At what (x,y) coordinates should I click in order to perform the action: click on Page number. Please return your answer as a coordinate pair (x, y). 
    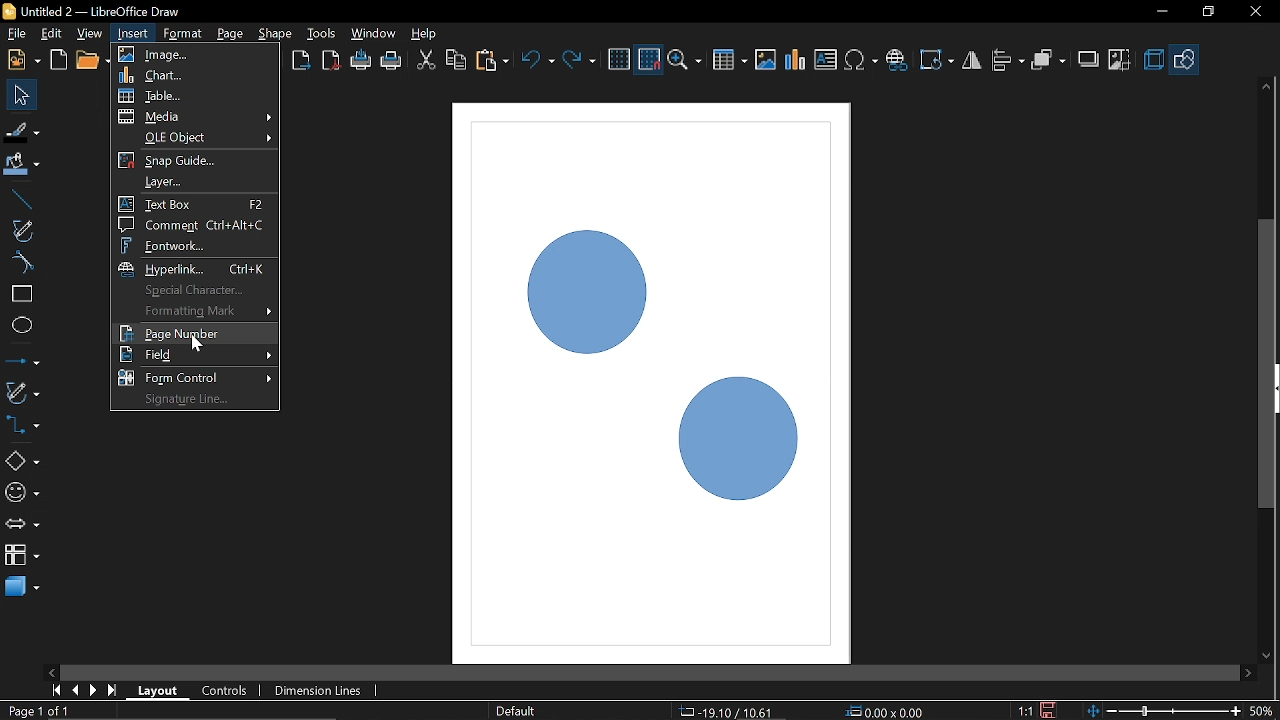
    Looking at the image, I should click on (194, 333).